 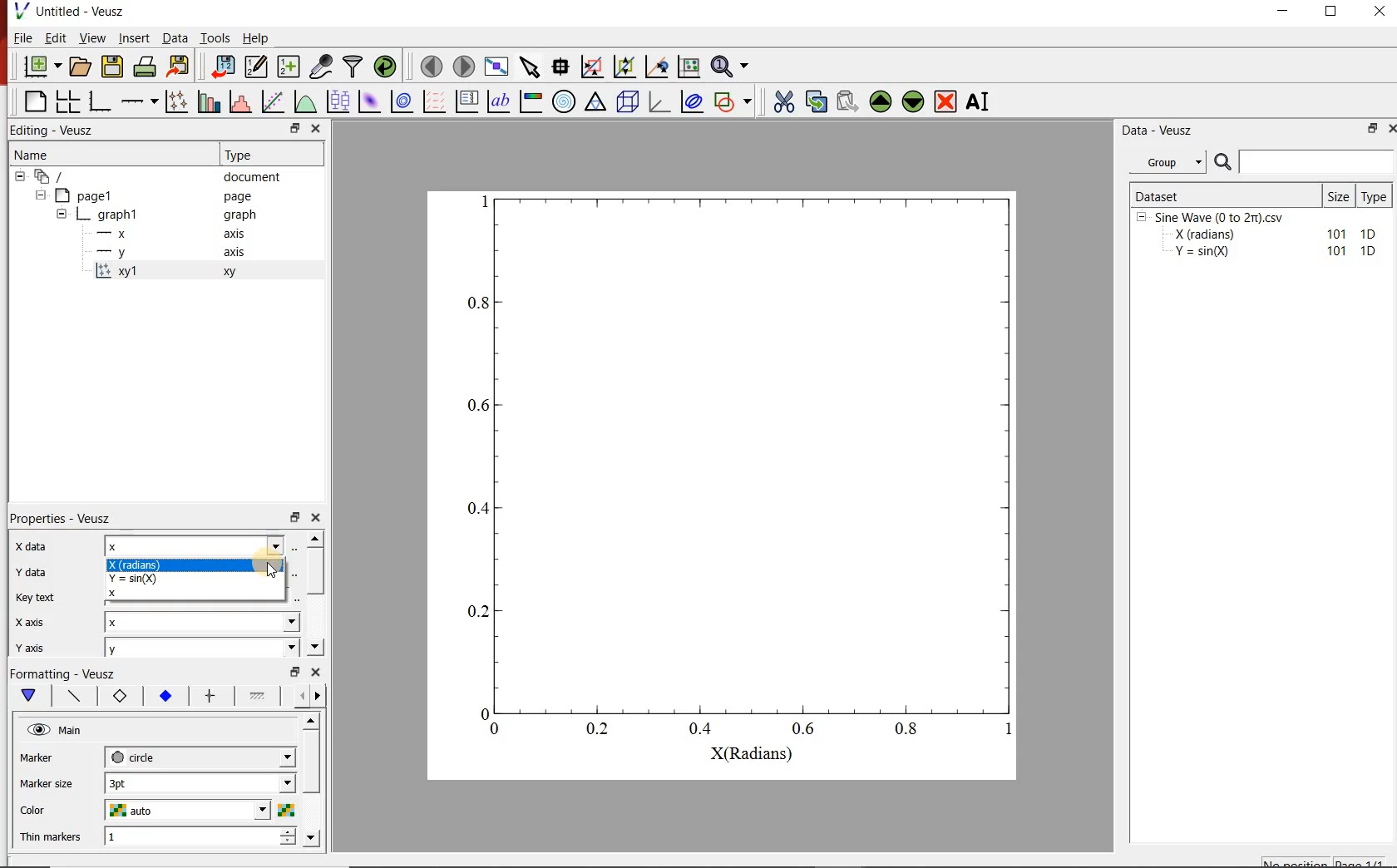 What do you see at coordinates (112, 67) in the screenshot?
I see `save document` at bounding box center [112, 67].